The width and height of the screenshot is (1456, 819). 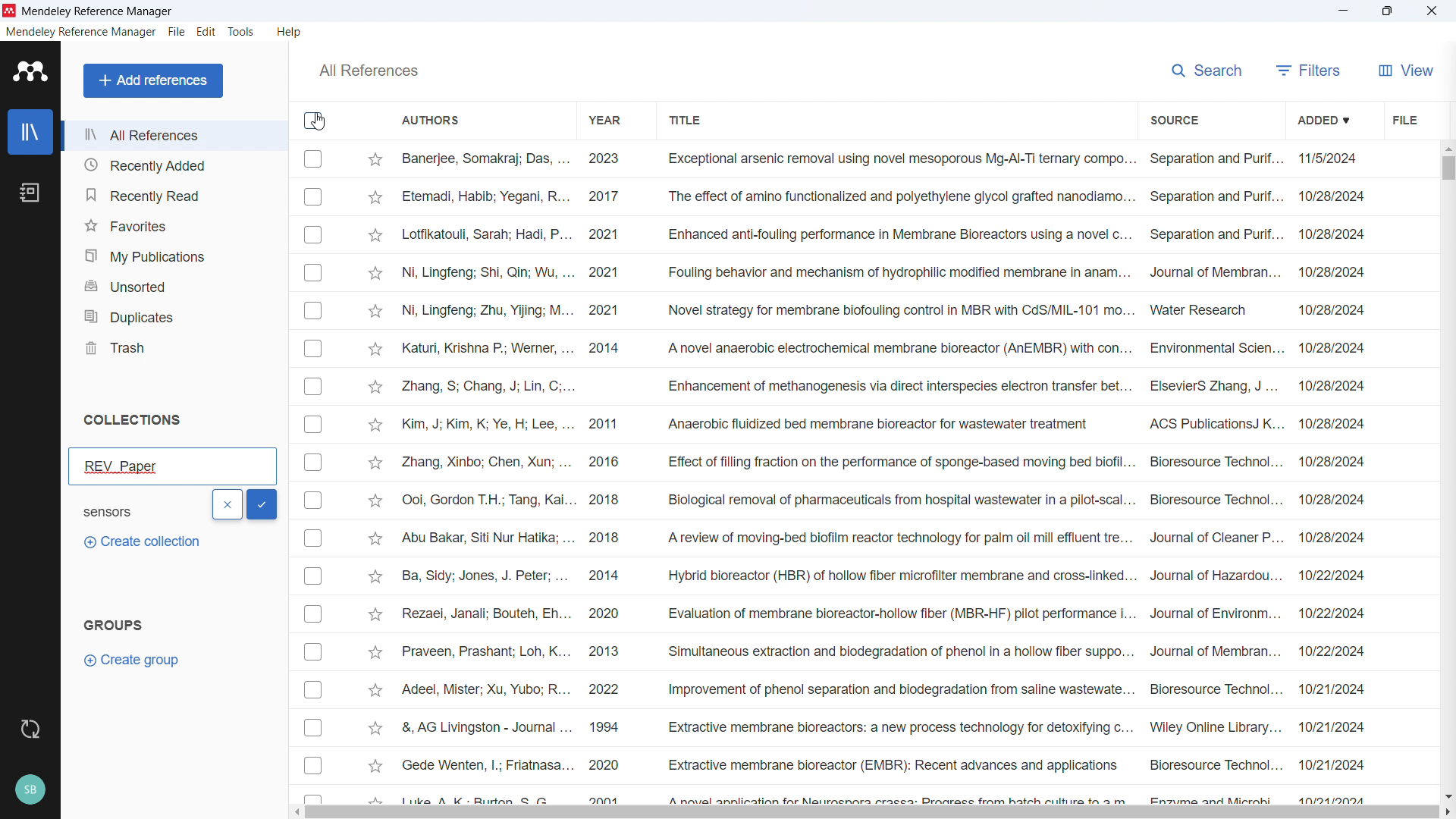 I want to click on Create group , so click(x=135, y=660).